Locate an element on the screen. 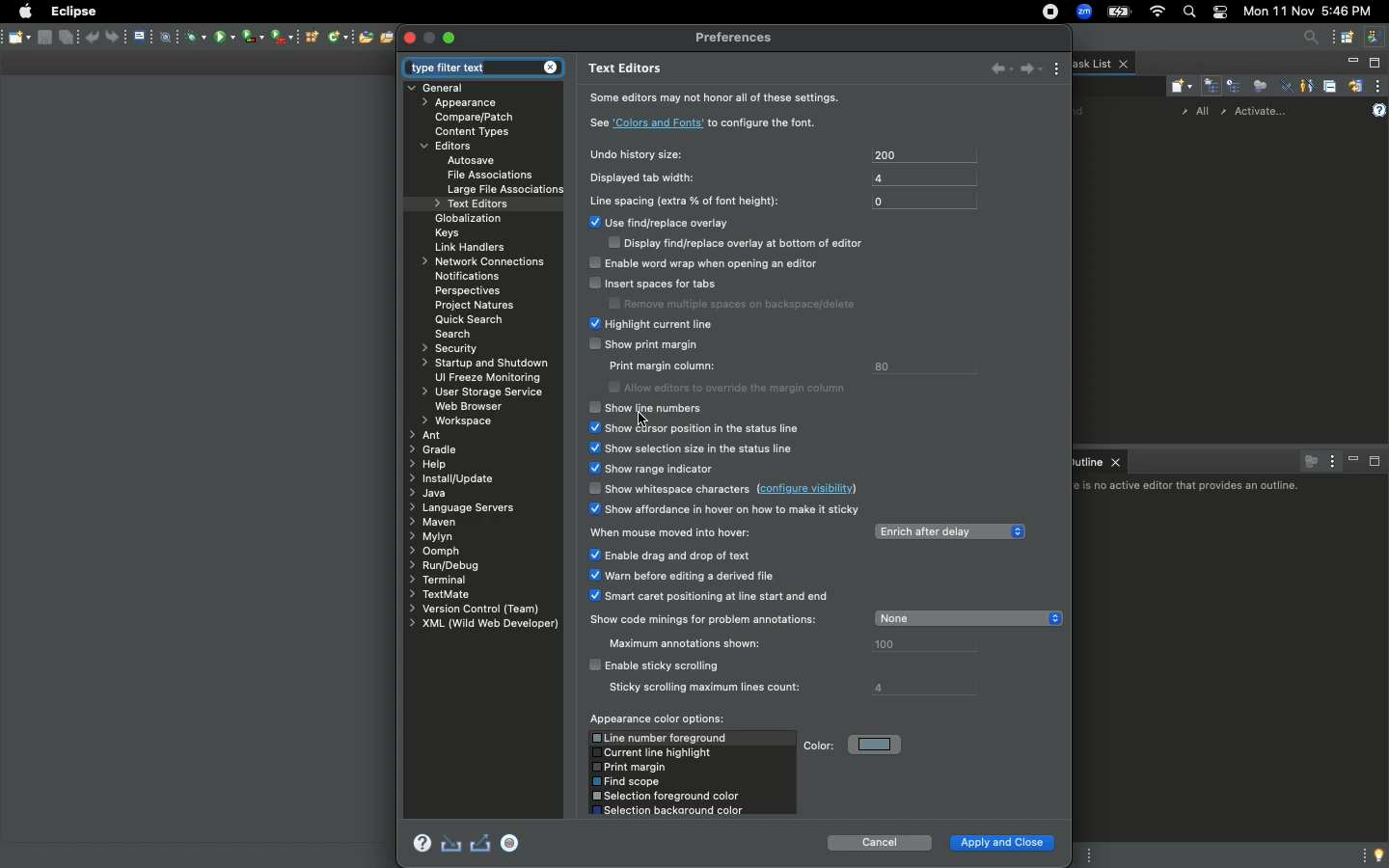 The height and width of the screenshot is (868, 1389). Globalization is located at coordinates (468, 220).